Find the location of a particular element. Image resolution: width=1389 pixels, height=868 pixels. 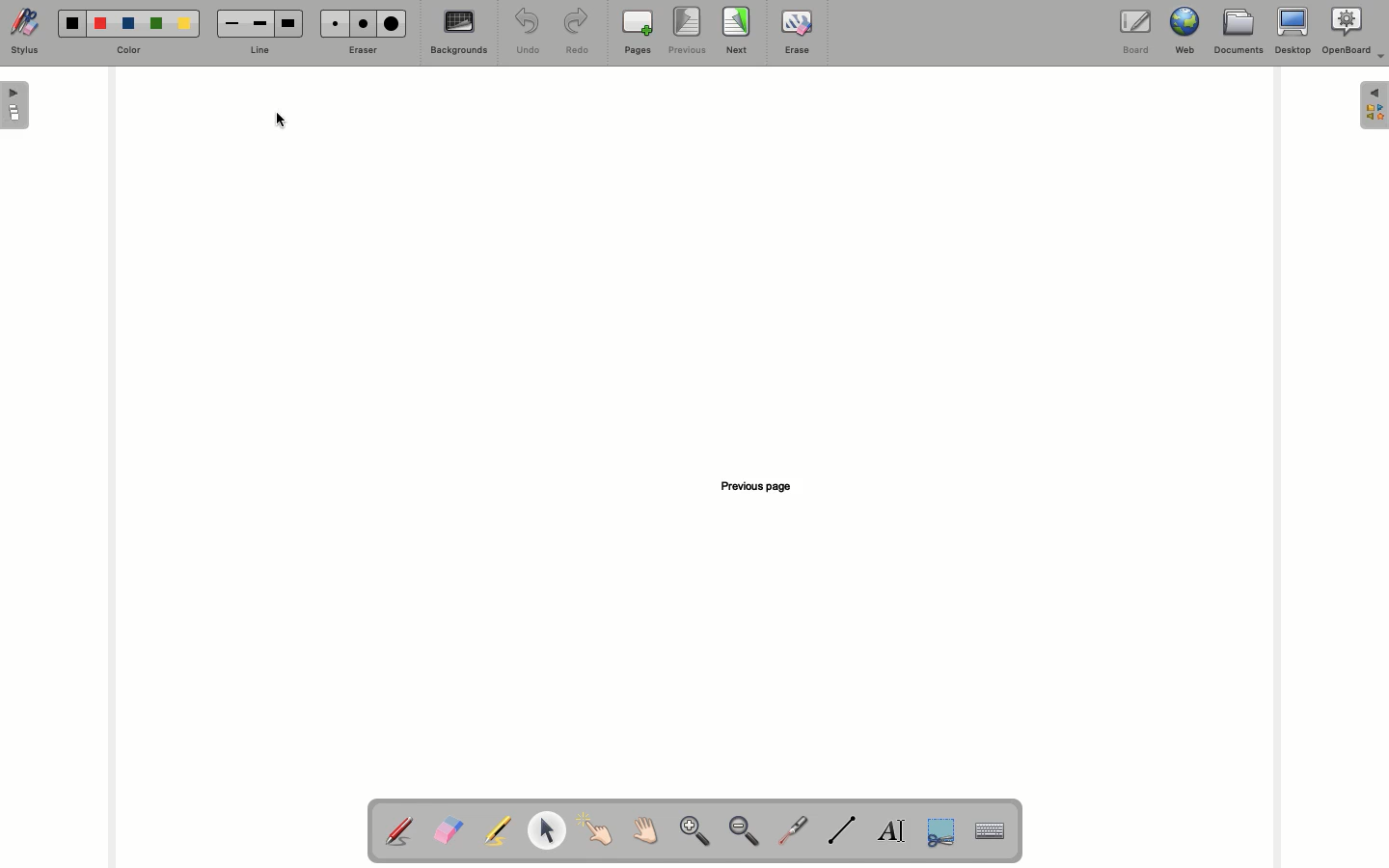

Annotate the document is located at coordinates (398, 832).